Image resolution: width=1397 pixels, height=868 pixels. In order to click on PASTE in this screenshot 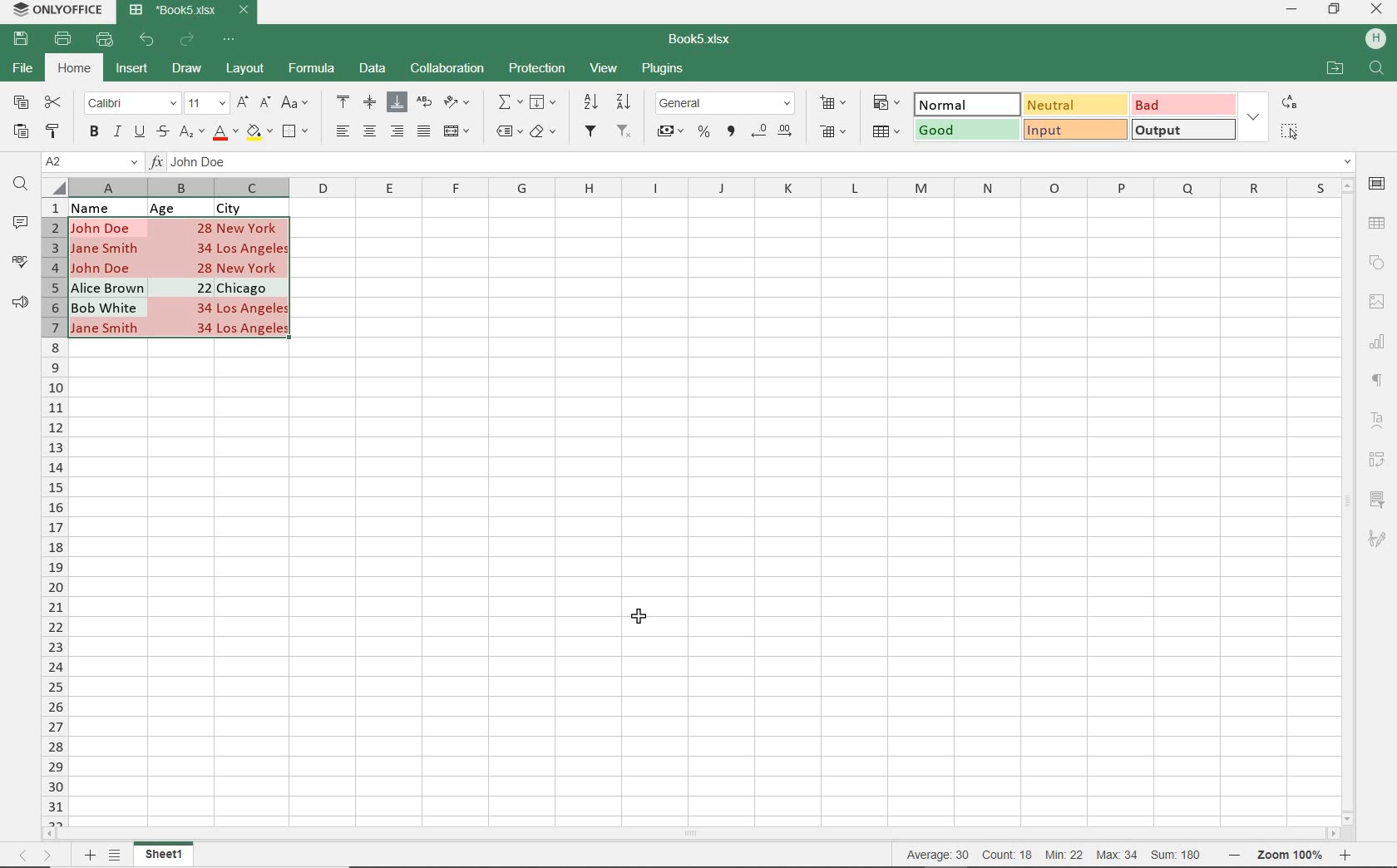, I will do `click(21, 132)`.